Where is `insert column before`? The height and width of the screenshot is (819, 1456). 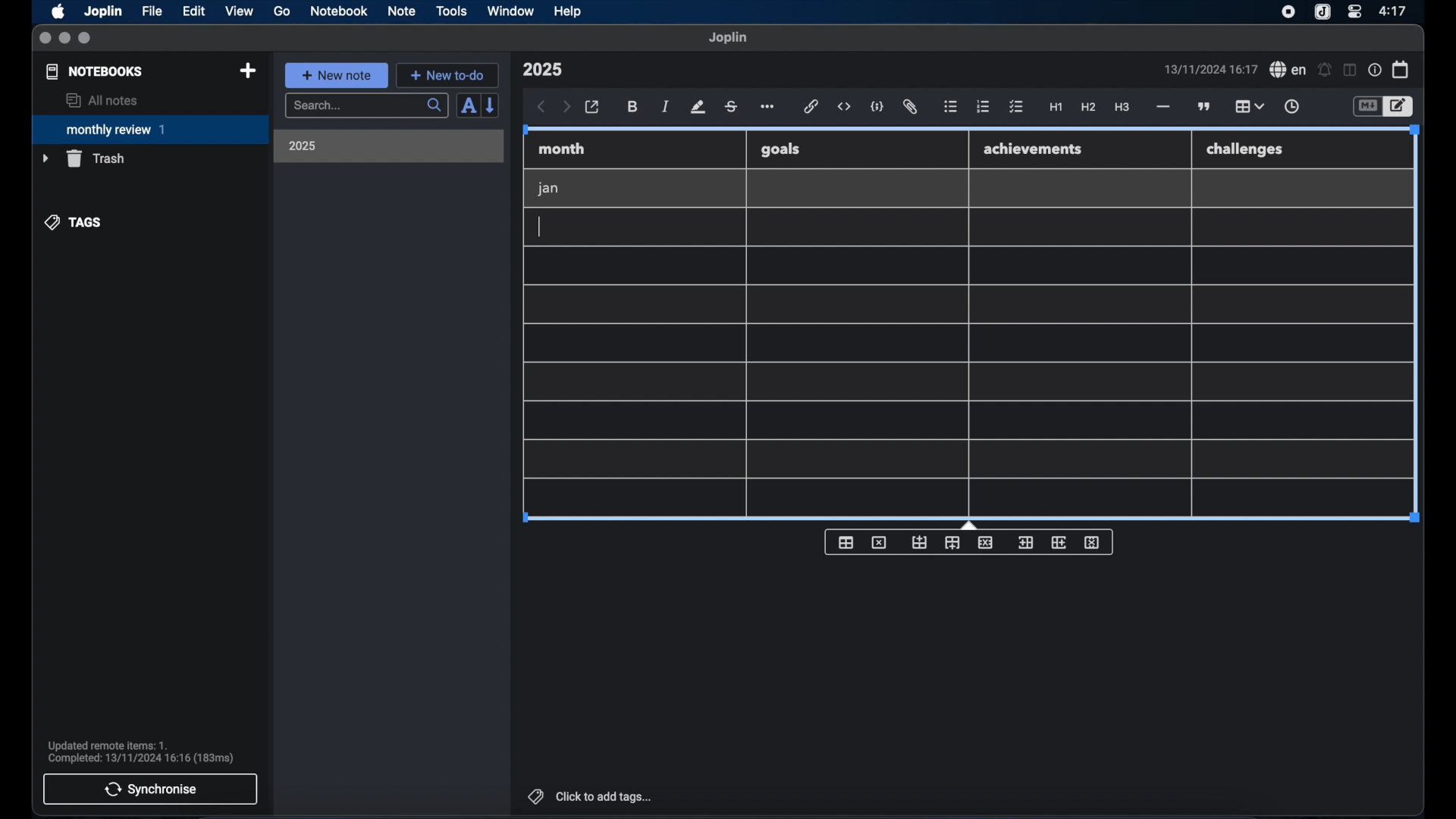 insert column before is located at coordinates (1025, 543).